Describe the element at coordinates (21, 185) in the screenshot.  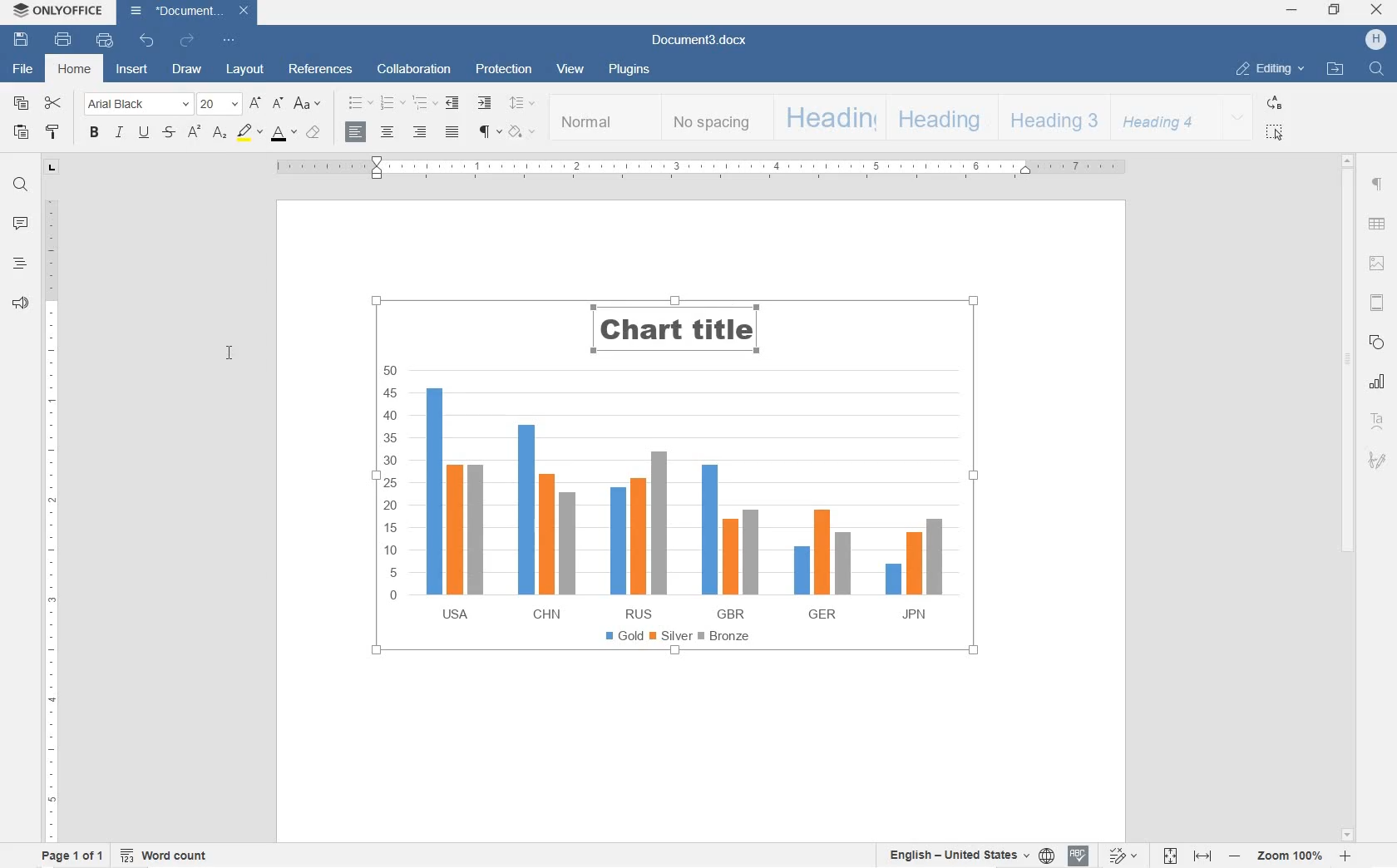
I see `FIND` at that location.